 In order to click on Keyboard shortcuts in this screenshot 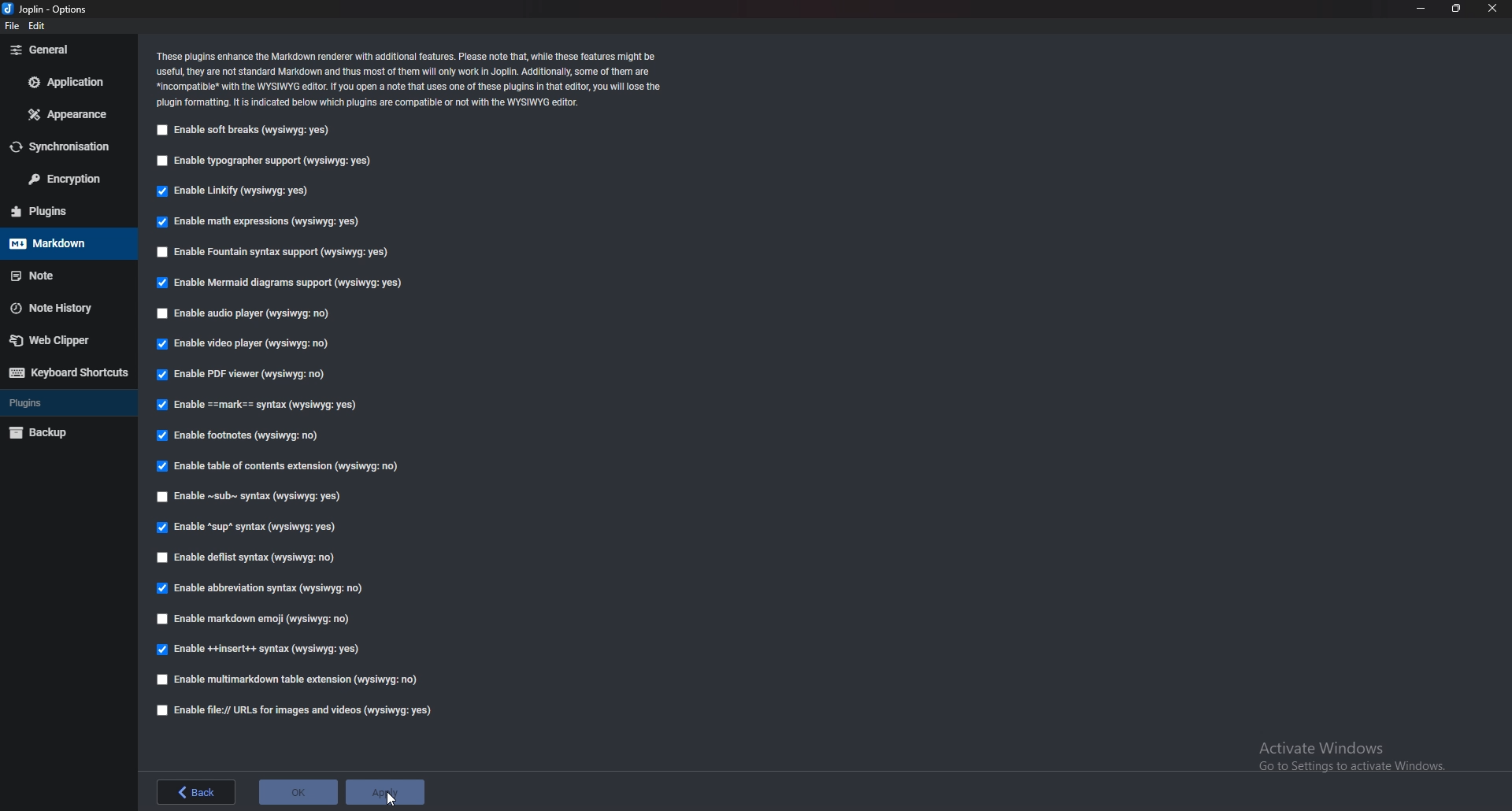, I will do `click(69, 372)`.